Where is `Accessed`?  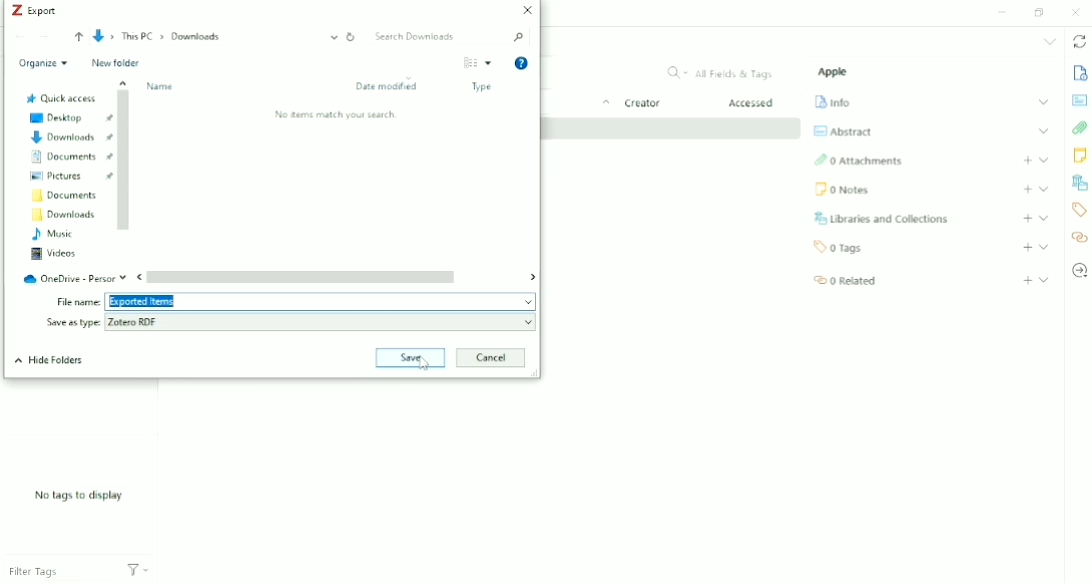 Accessed is located at coordinates (753, 104).